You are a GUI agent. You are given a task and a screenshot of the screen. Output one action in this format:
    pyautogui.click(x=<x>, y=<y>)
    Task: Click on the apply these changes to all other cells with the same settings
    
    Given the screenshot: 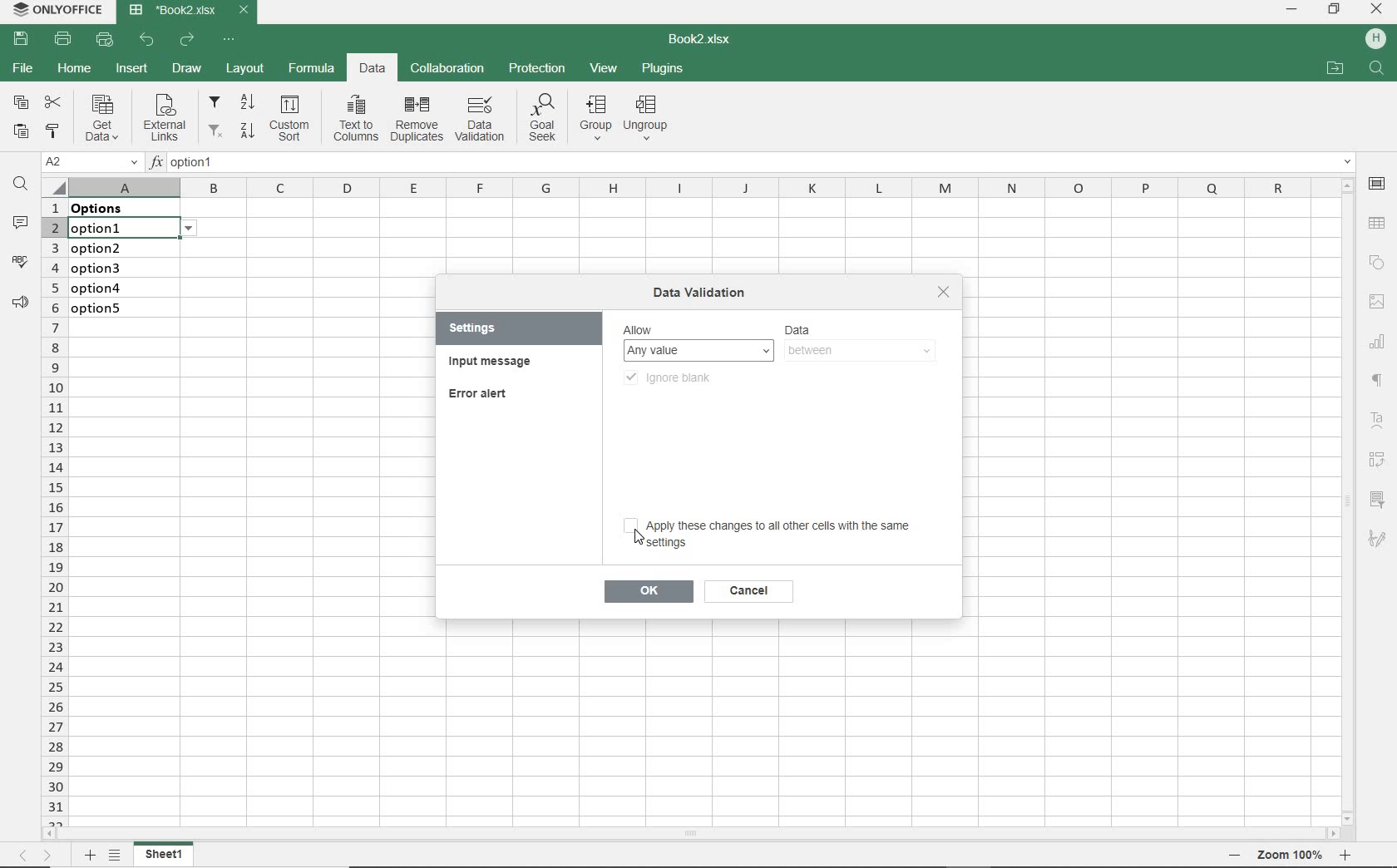 What is the action you would take?
    pyautogui.click(x=771, y=530)
    